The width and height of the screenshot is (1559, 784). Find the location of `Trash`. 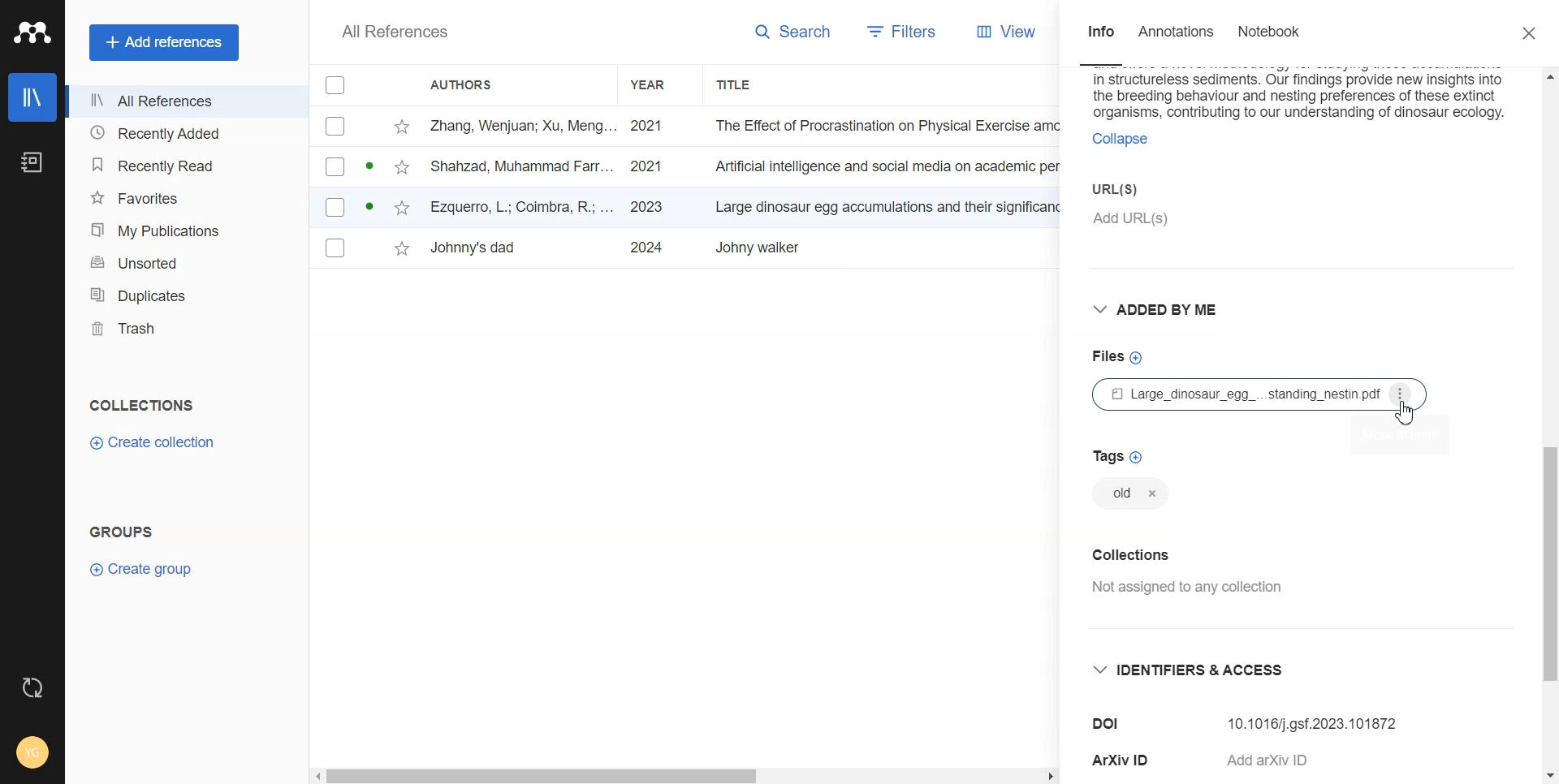

Trash is located at coordinates (179, 325).